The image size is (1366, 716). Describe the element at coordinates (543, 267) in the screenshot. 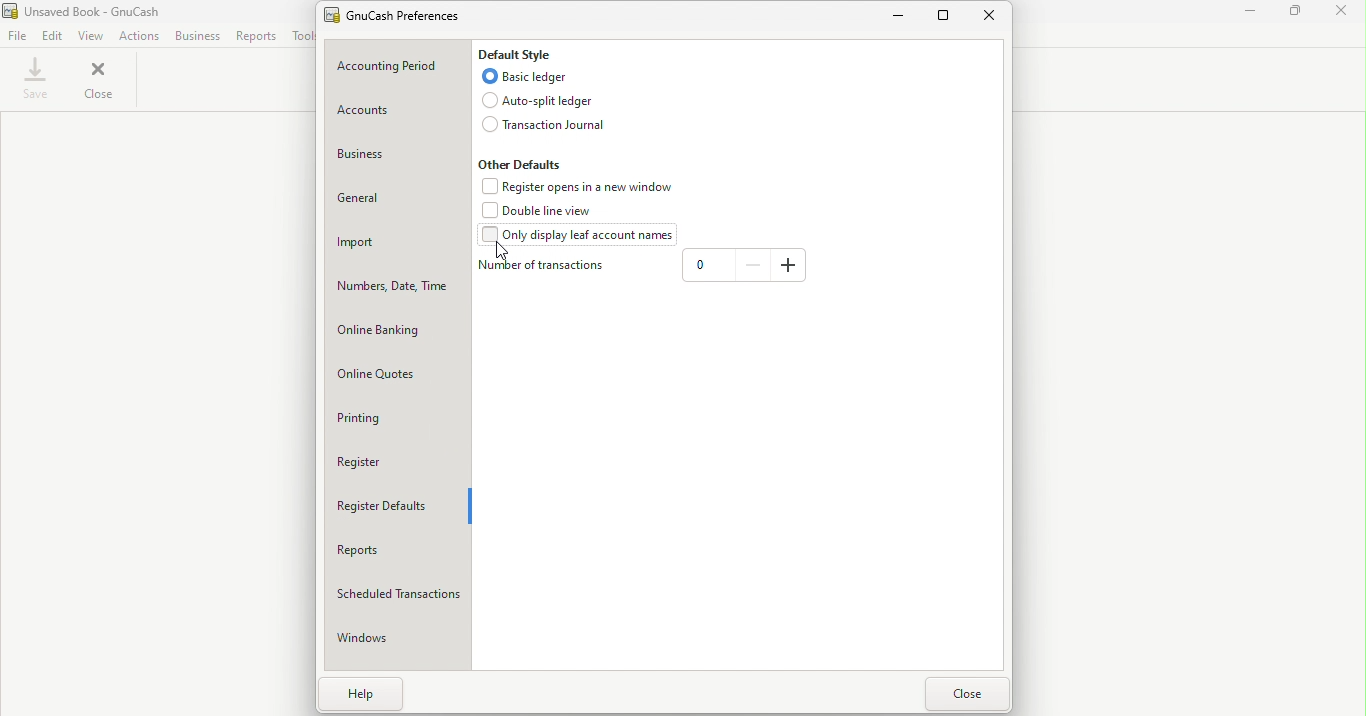

I see `Number of transations` at that location.